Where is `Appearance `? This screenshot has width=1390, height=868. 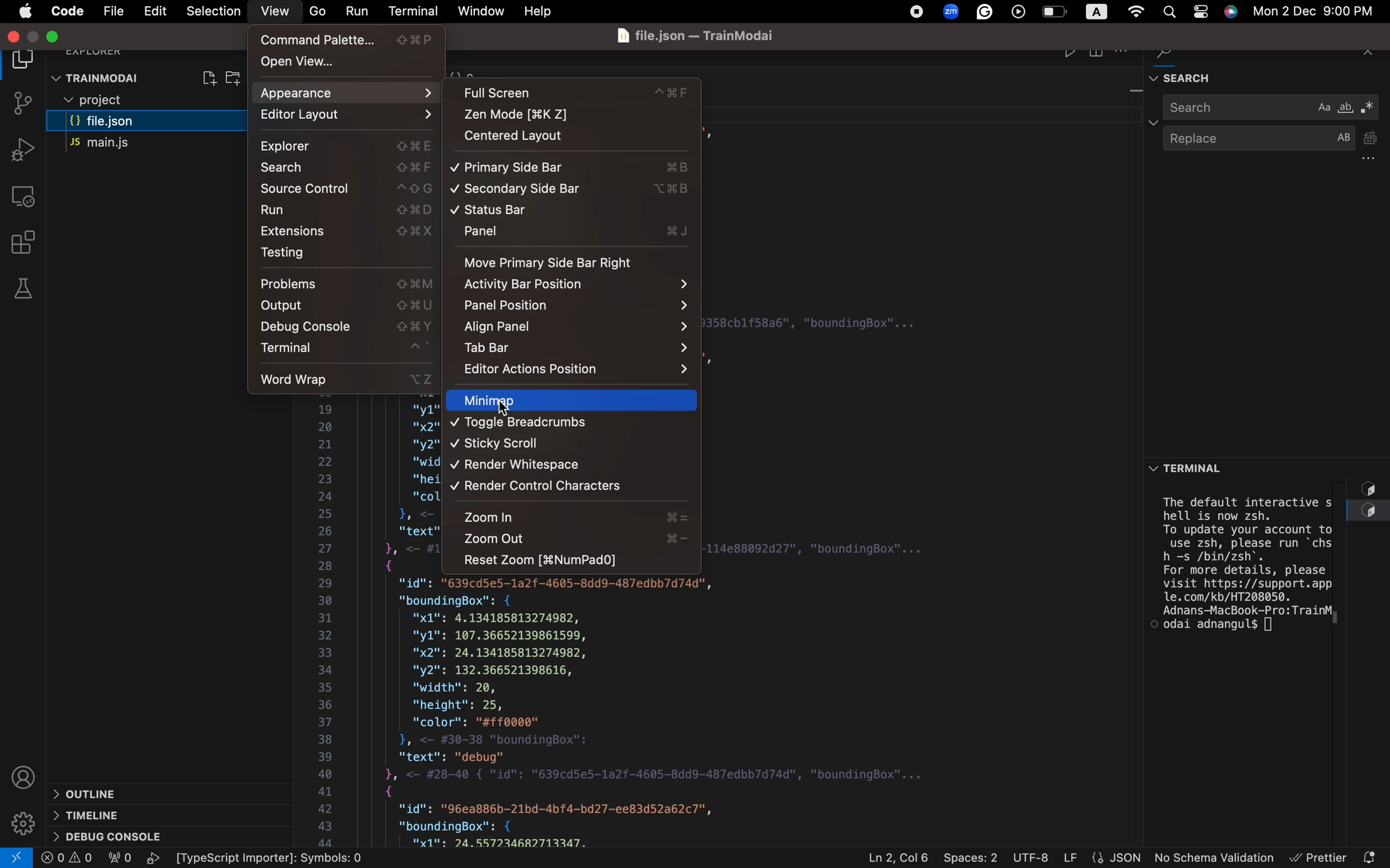
Appearance  is located at coordinates (350, 93).